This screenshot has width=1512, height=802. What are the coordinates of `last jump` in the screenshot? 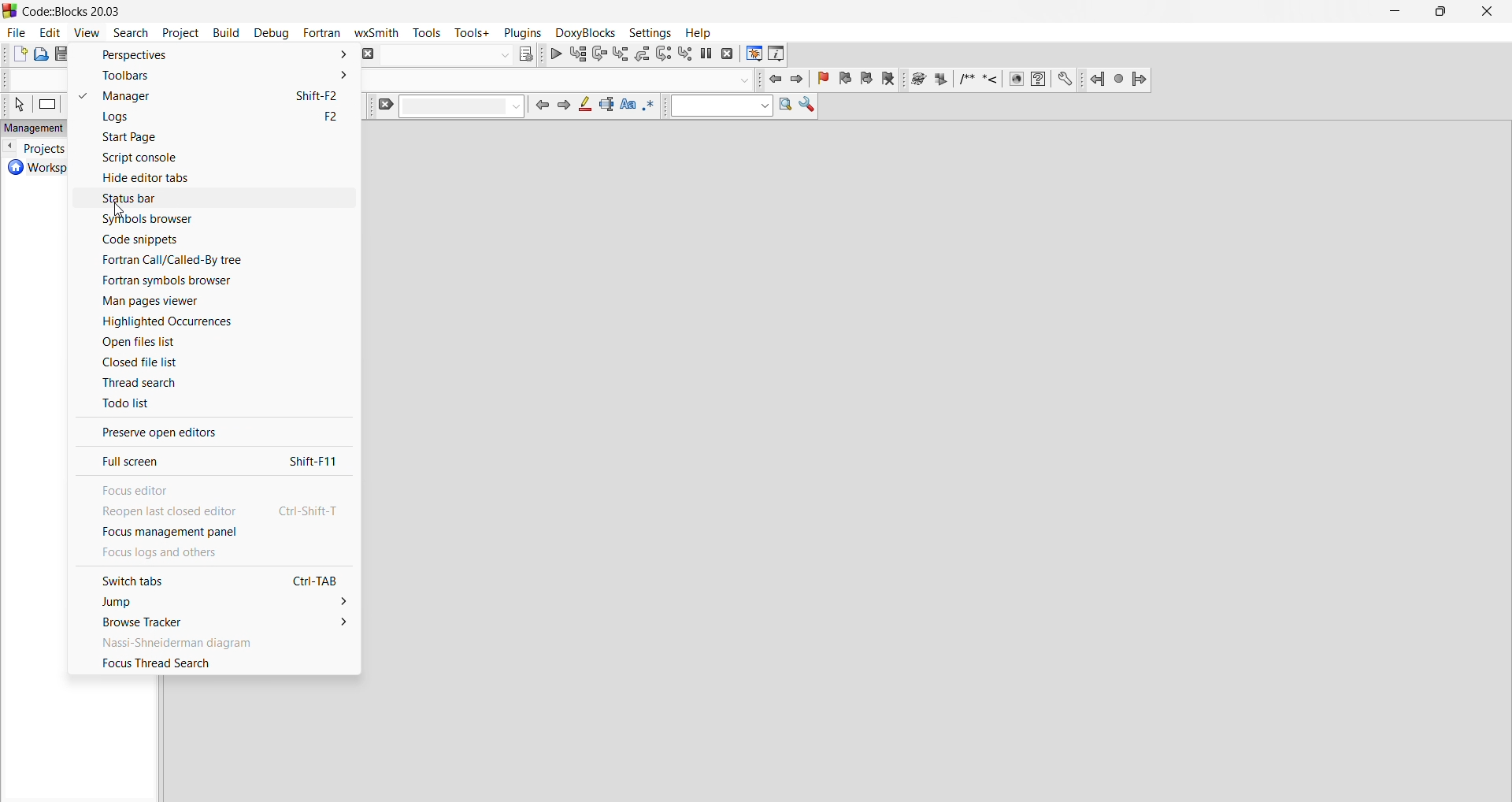 It's located at (1117, 81).